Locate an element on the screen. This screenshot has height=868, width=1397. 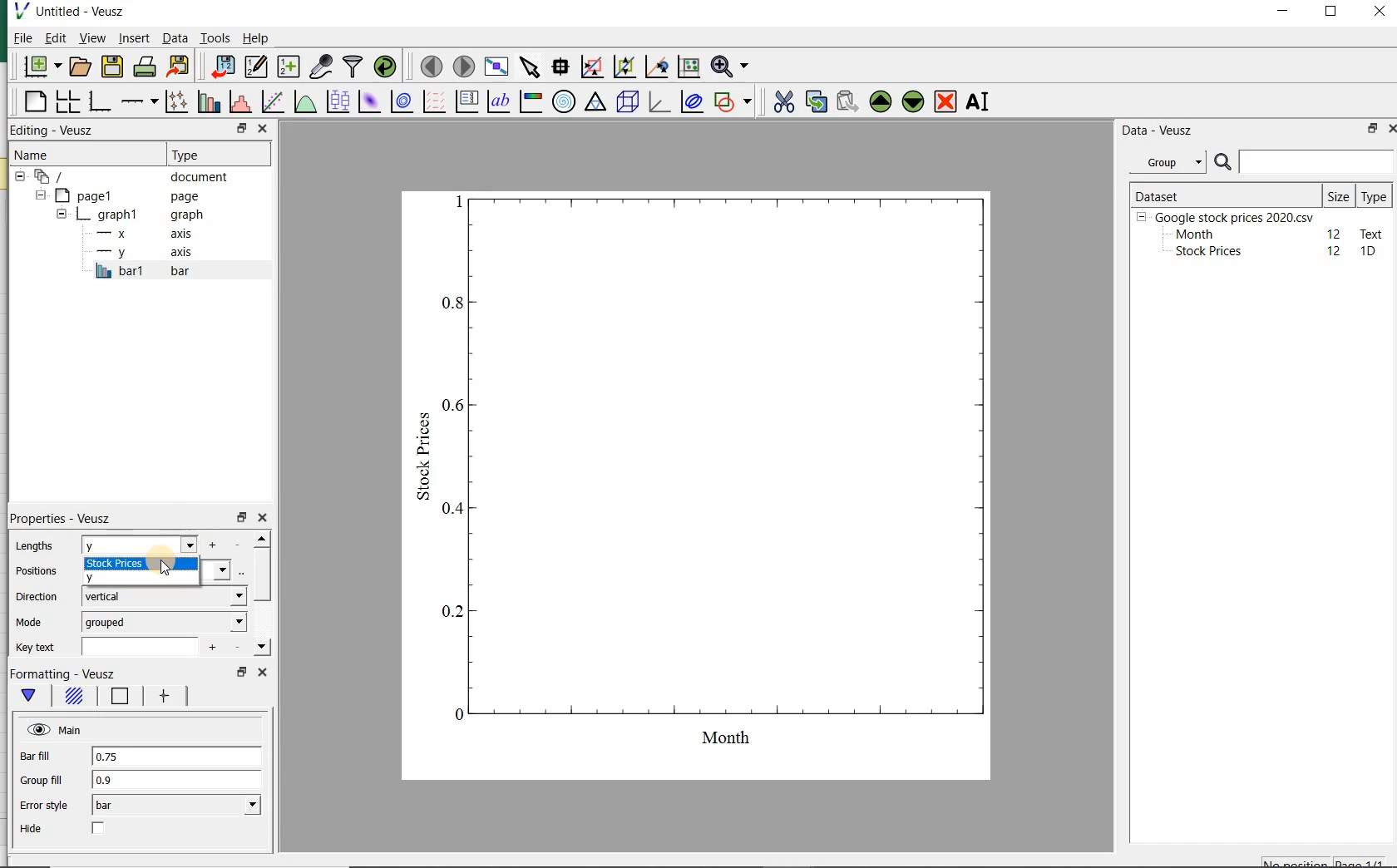
Direction is located at coordinates (39, 599).